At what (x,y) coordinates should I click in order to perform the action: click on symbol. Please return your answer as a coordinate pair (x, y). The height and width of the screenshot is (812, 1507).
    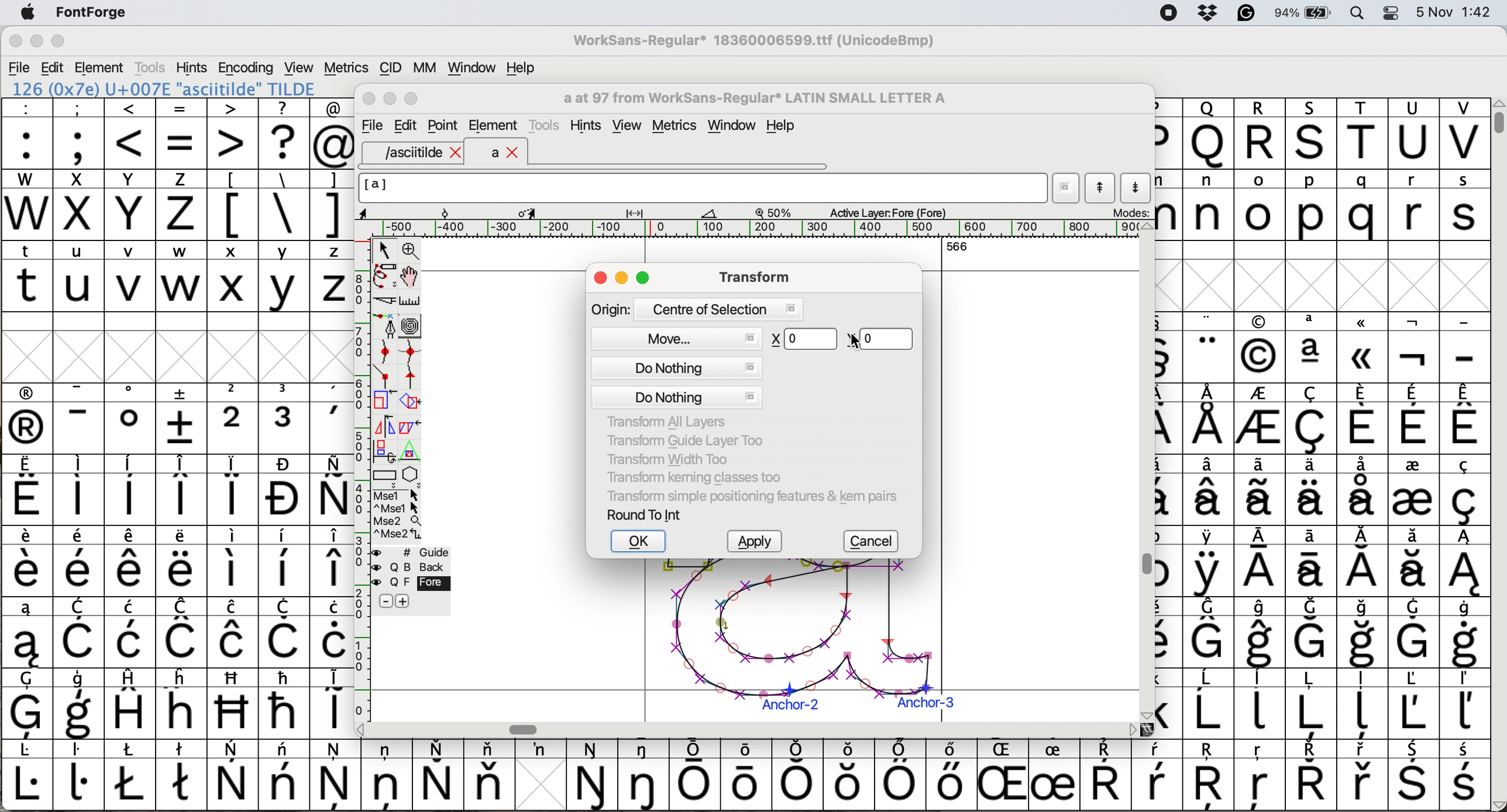
    Looking at the image, I should click on (1054, 776).